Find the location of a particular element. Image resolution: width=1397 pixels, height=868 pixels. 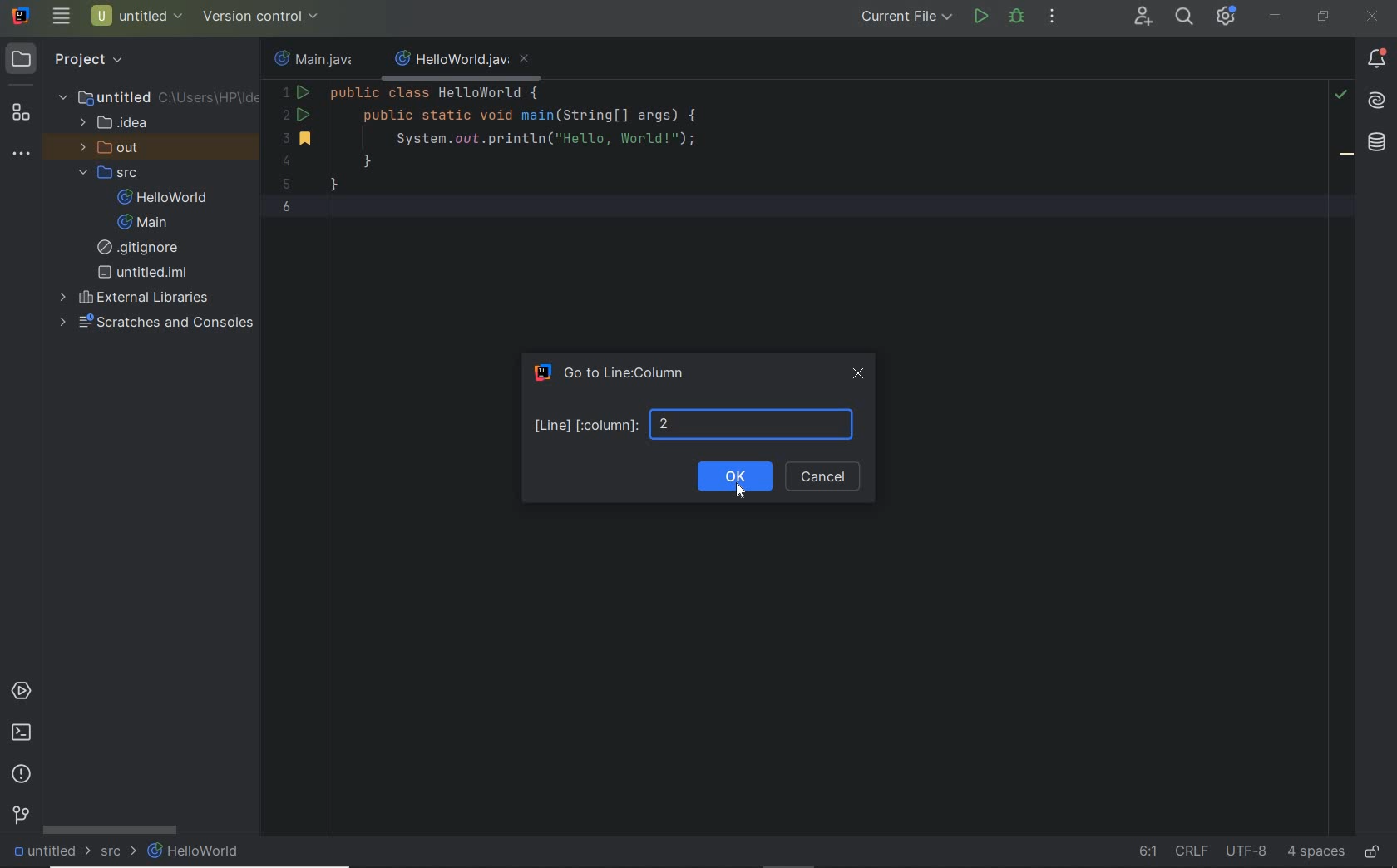

file name is located at coordinates (463, 61).